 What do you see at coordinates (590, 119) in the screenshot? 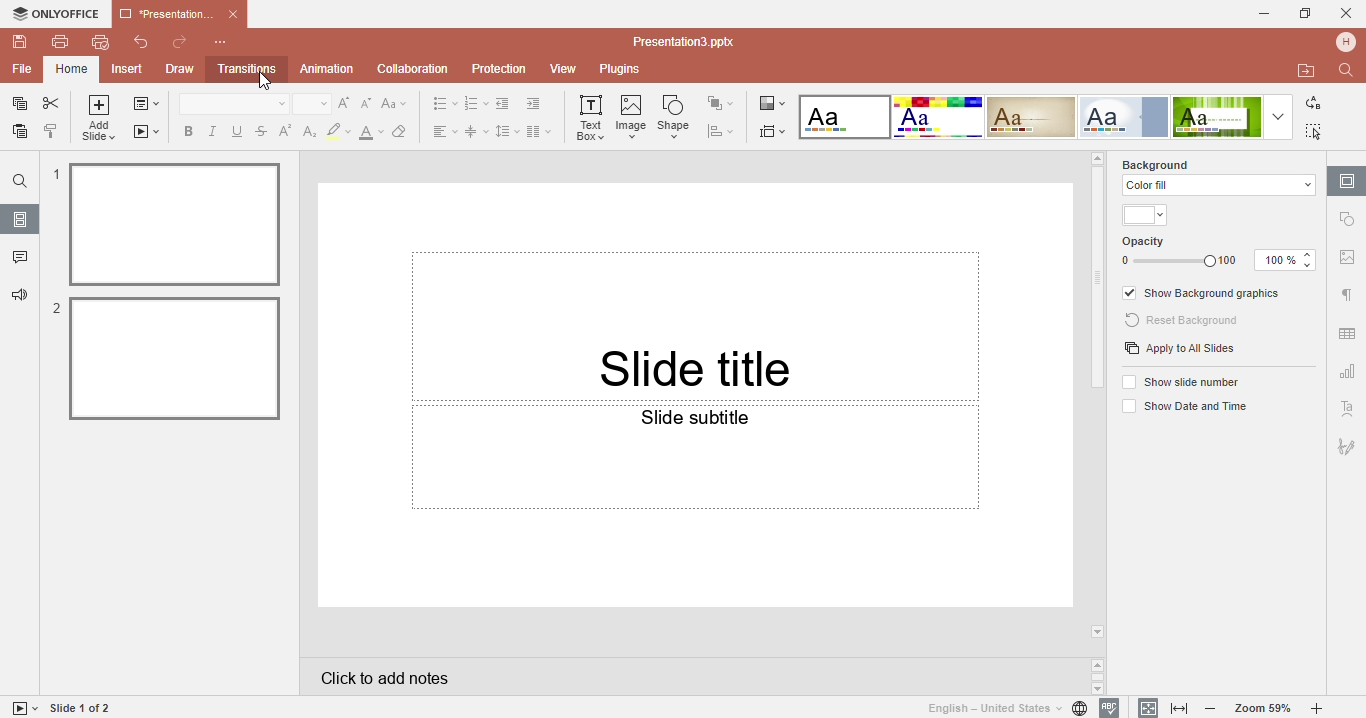
I see `Text box` at bounding box center [590, 119].